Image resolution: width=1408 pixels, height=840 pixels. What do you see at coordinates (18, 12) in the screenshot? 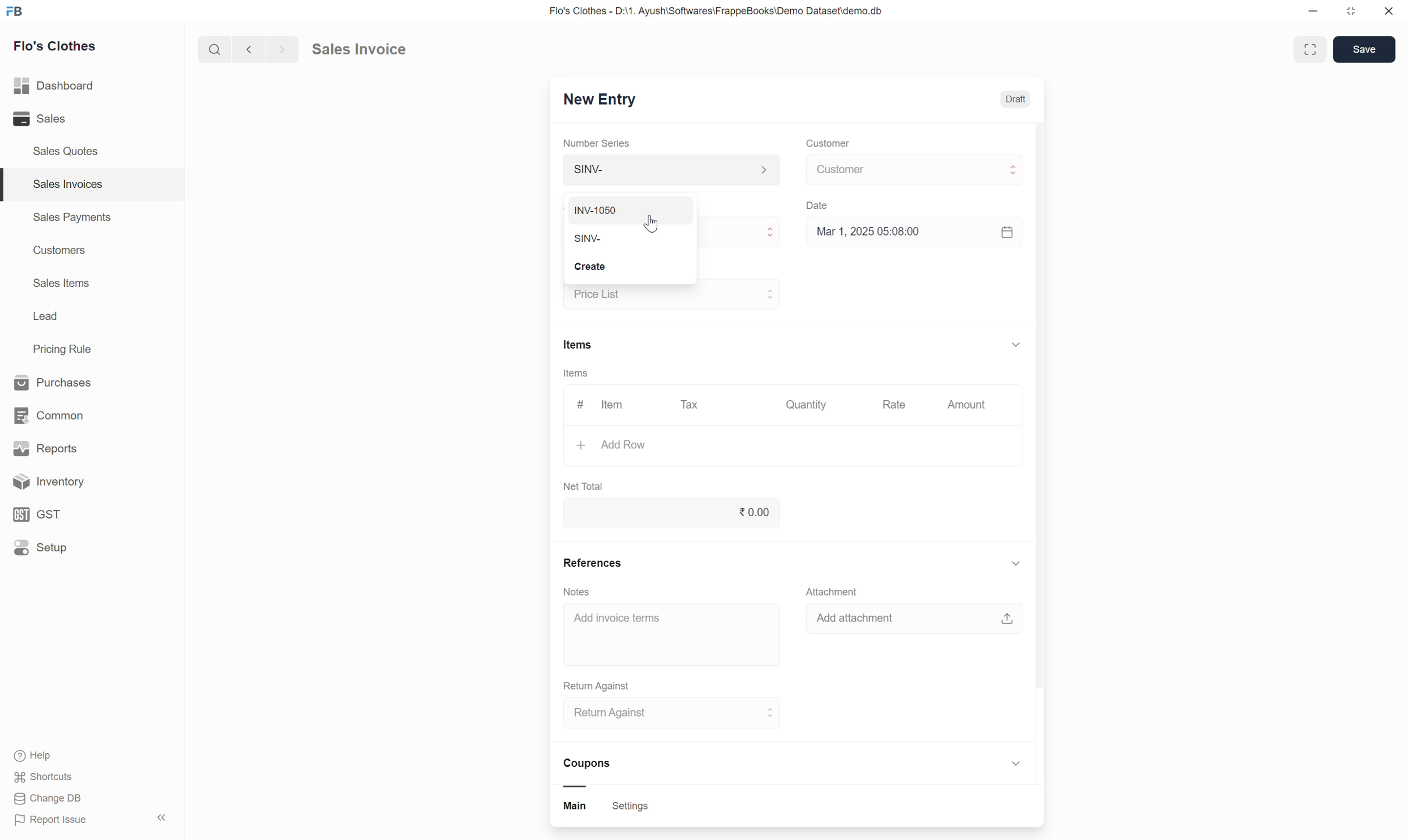
I see `Frappe Book logo` at bounding box center [18, 12].